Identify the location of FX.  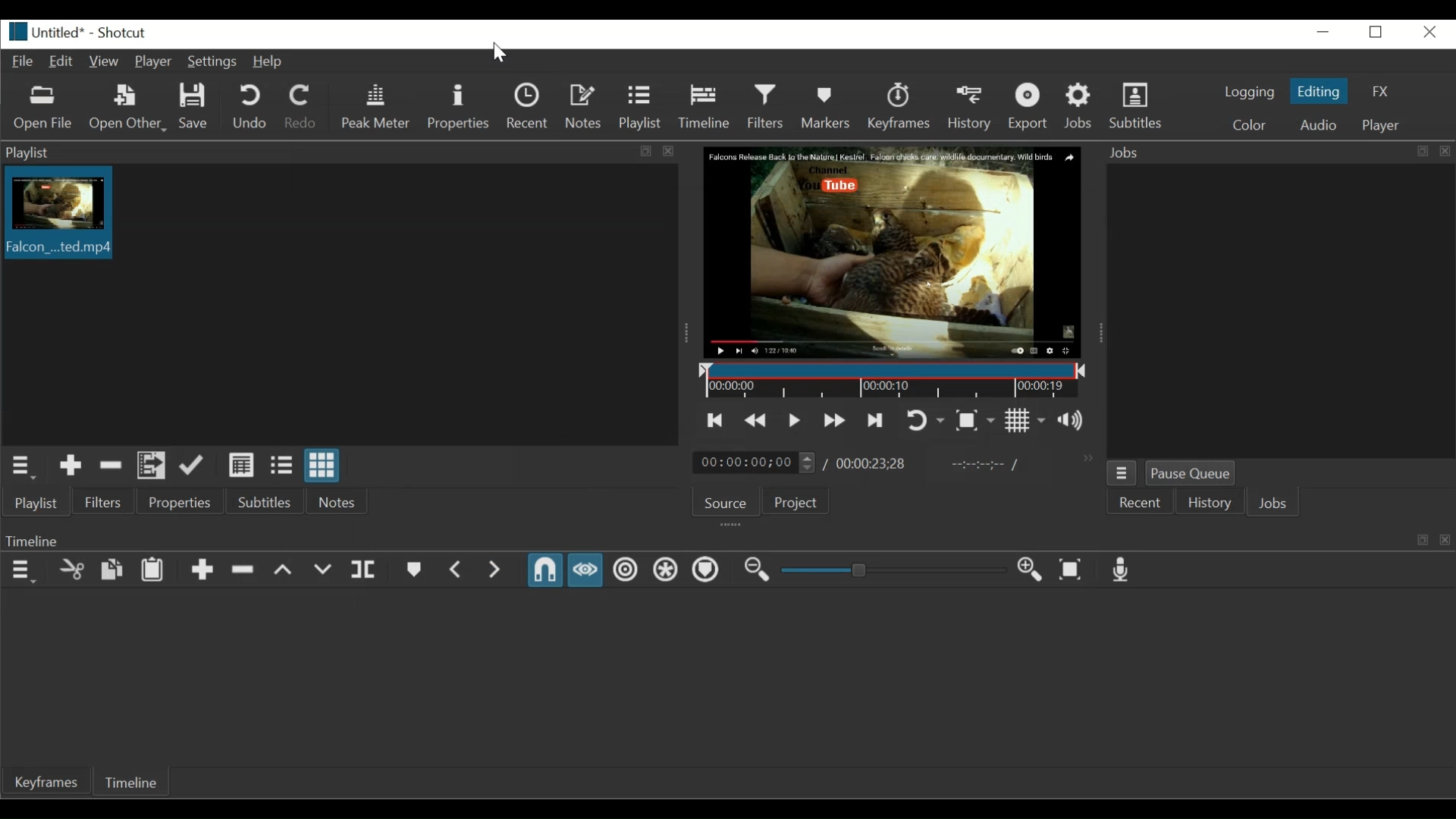
(1382, 91).